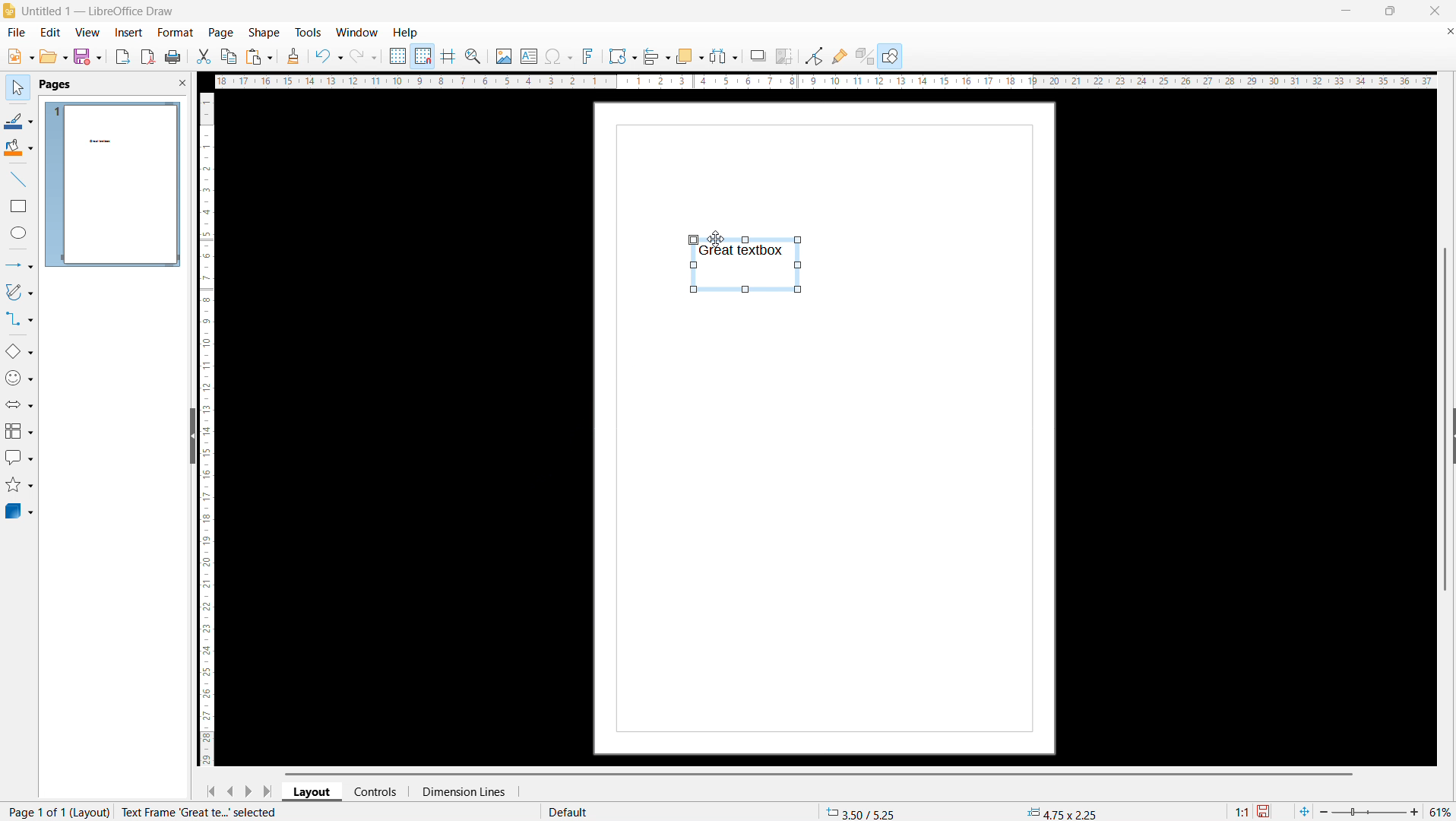 This screenshot has height=821, width=1456. What do you see at coordinates (589, 55) in the screenshot?
I see `insert fontwork text` at bounding box center [589, 55].